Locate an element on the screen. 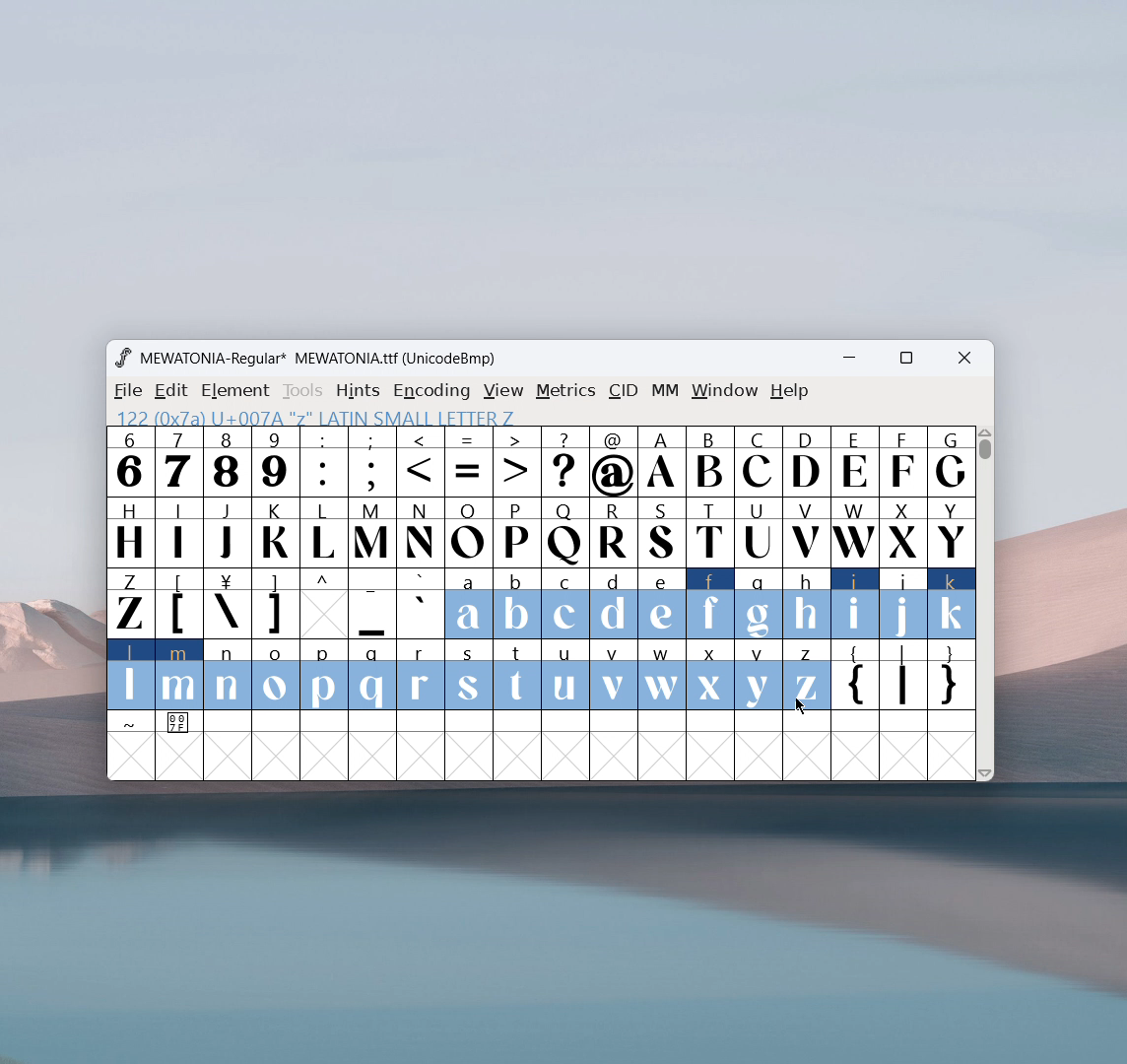  A is located at coordinates (663, 462).